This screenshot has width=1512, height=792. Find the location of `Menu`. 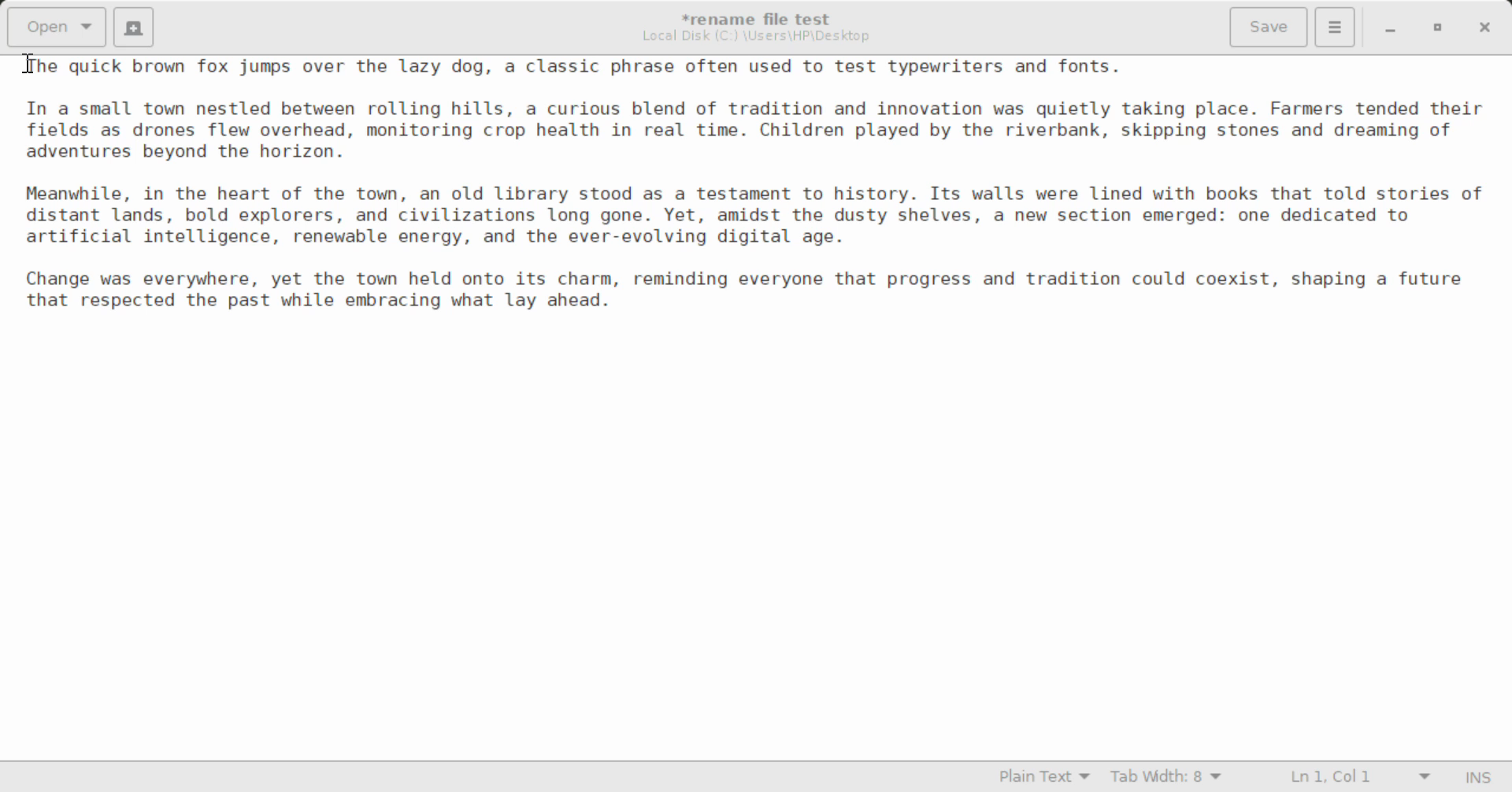

Menu is located at coordinates (1336, 28).